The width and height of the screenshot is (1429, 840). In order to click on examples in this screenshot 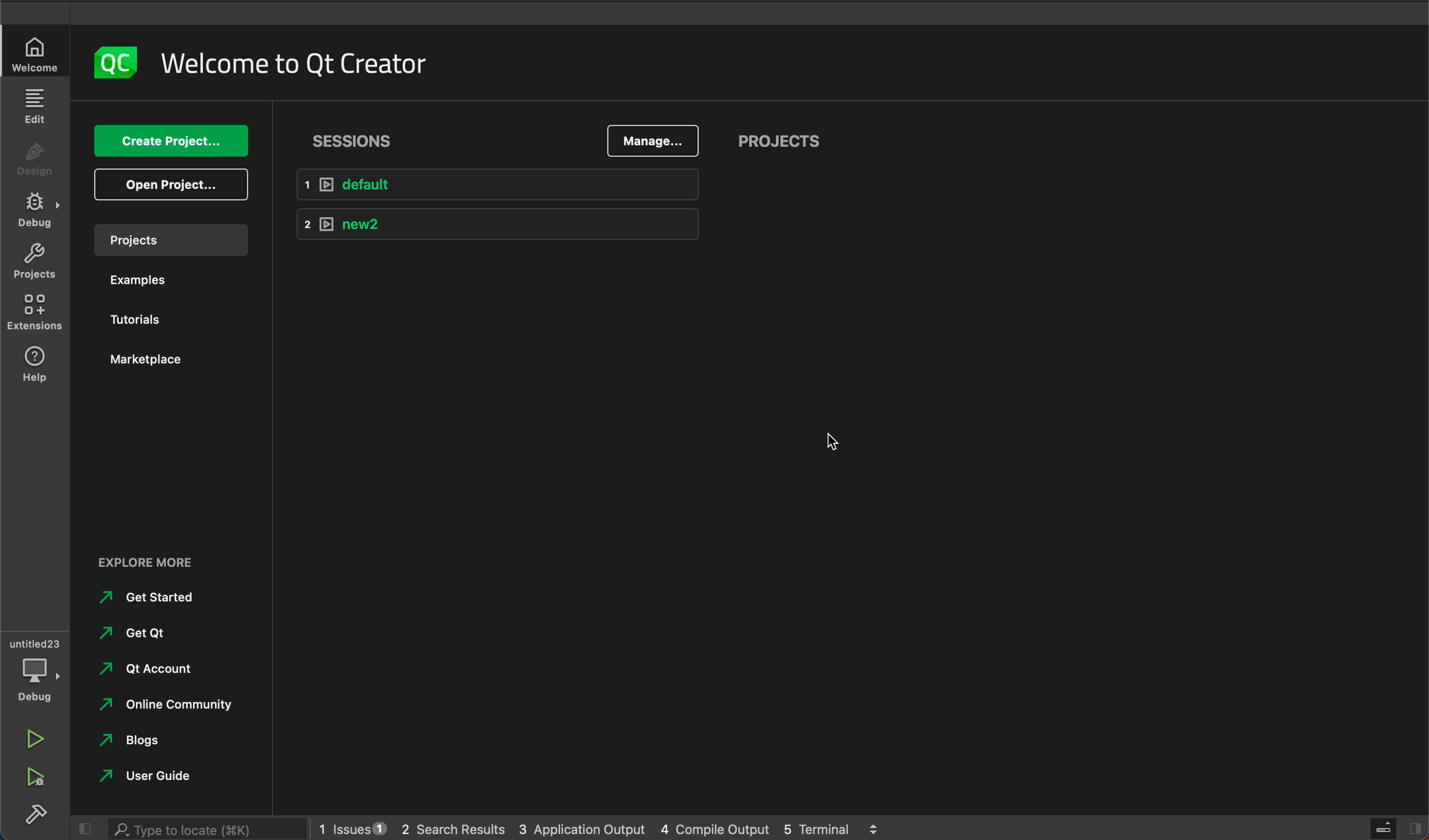, I will do `click(149, 281)`.